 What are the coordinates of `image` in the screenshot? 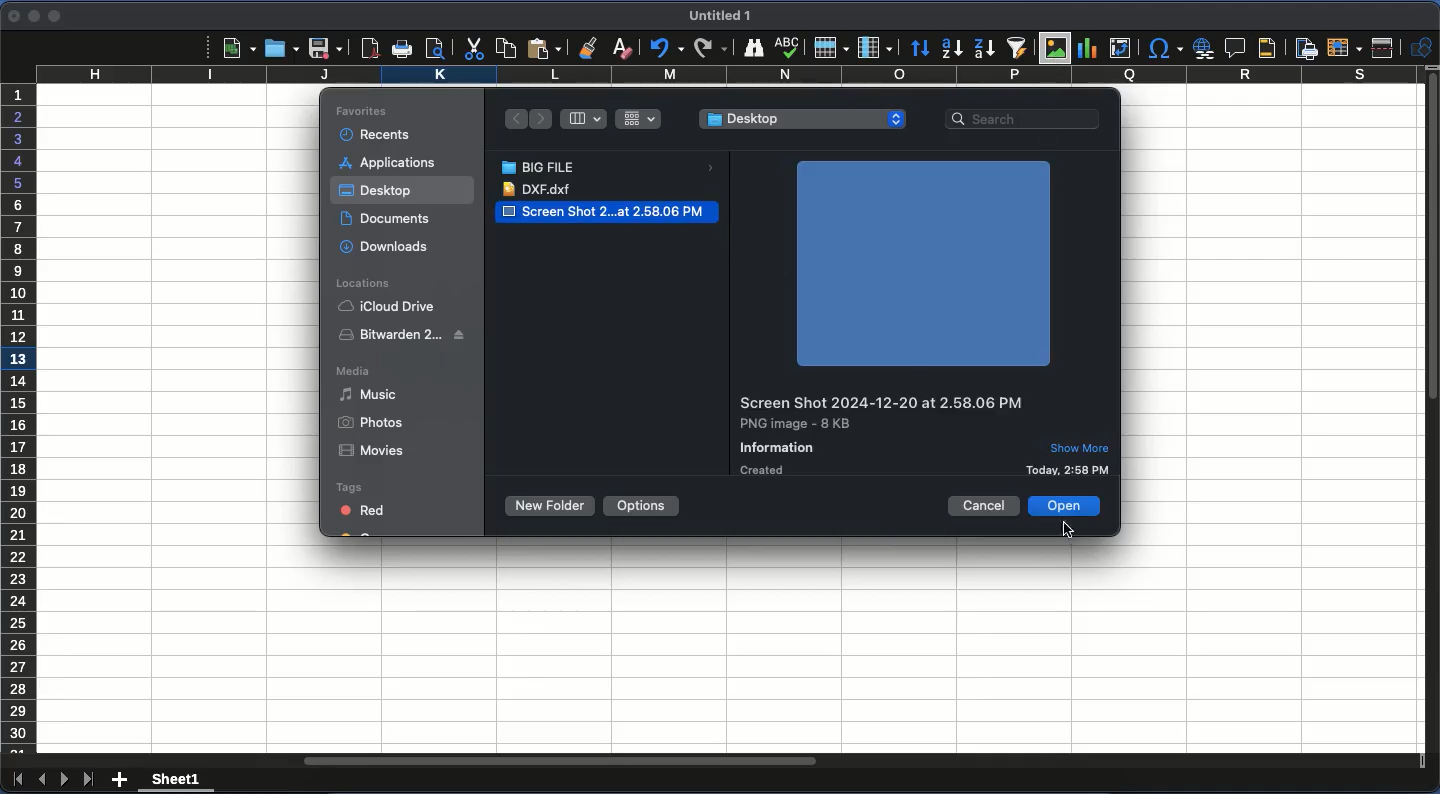 It's located at (1057, 48).